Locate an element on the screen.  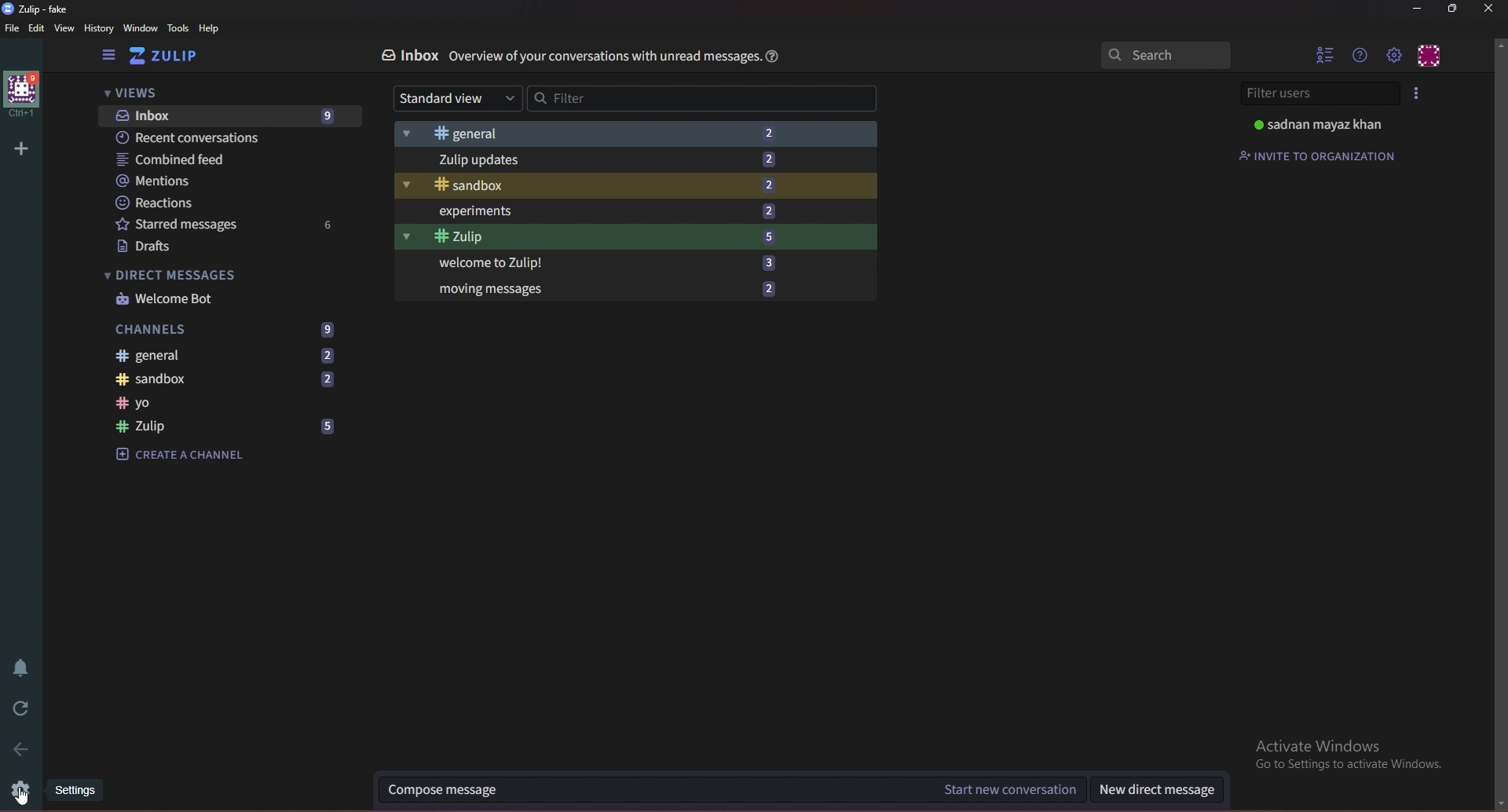
Compose message is located at coordinates (651, 788).